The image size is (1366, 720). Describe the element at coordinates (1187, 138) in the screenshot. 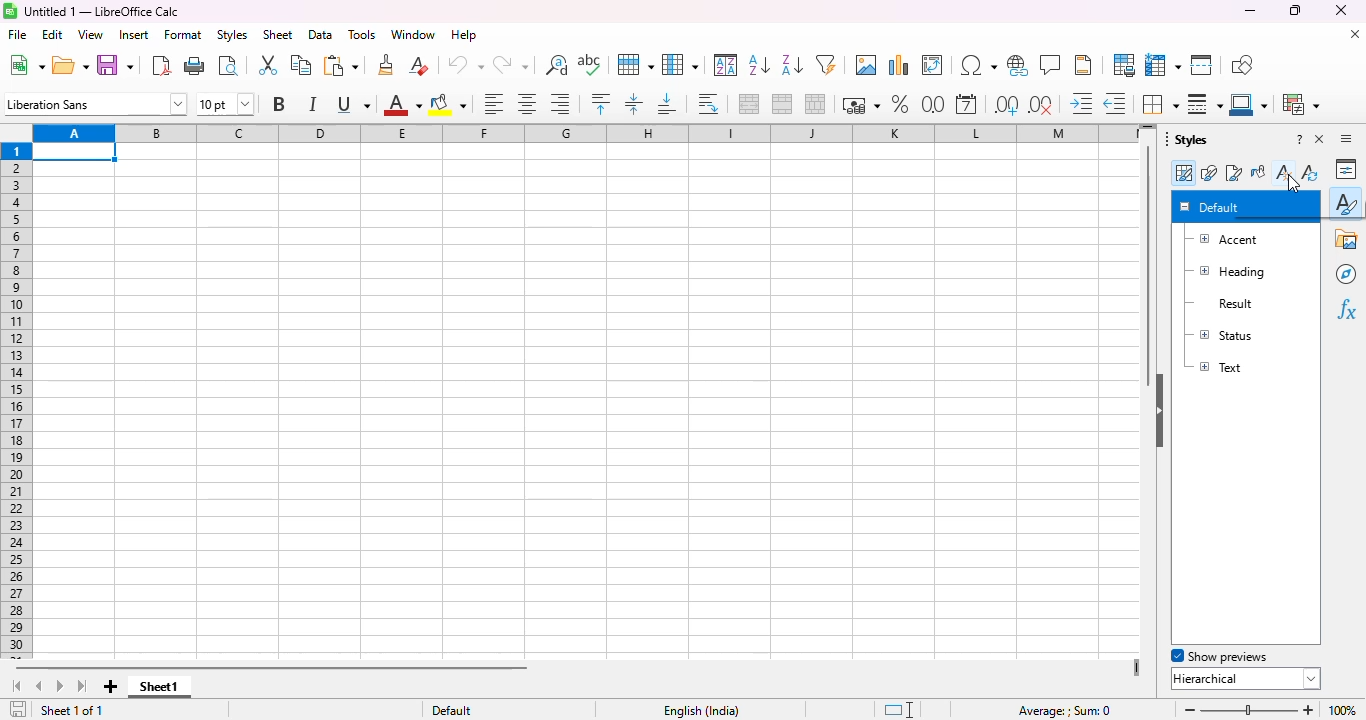

I see `styles` at that location.